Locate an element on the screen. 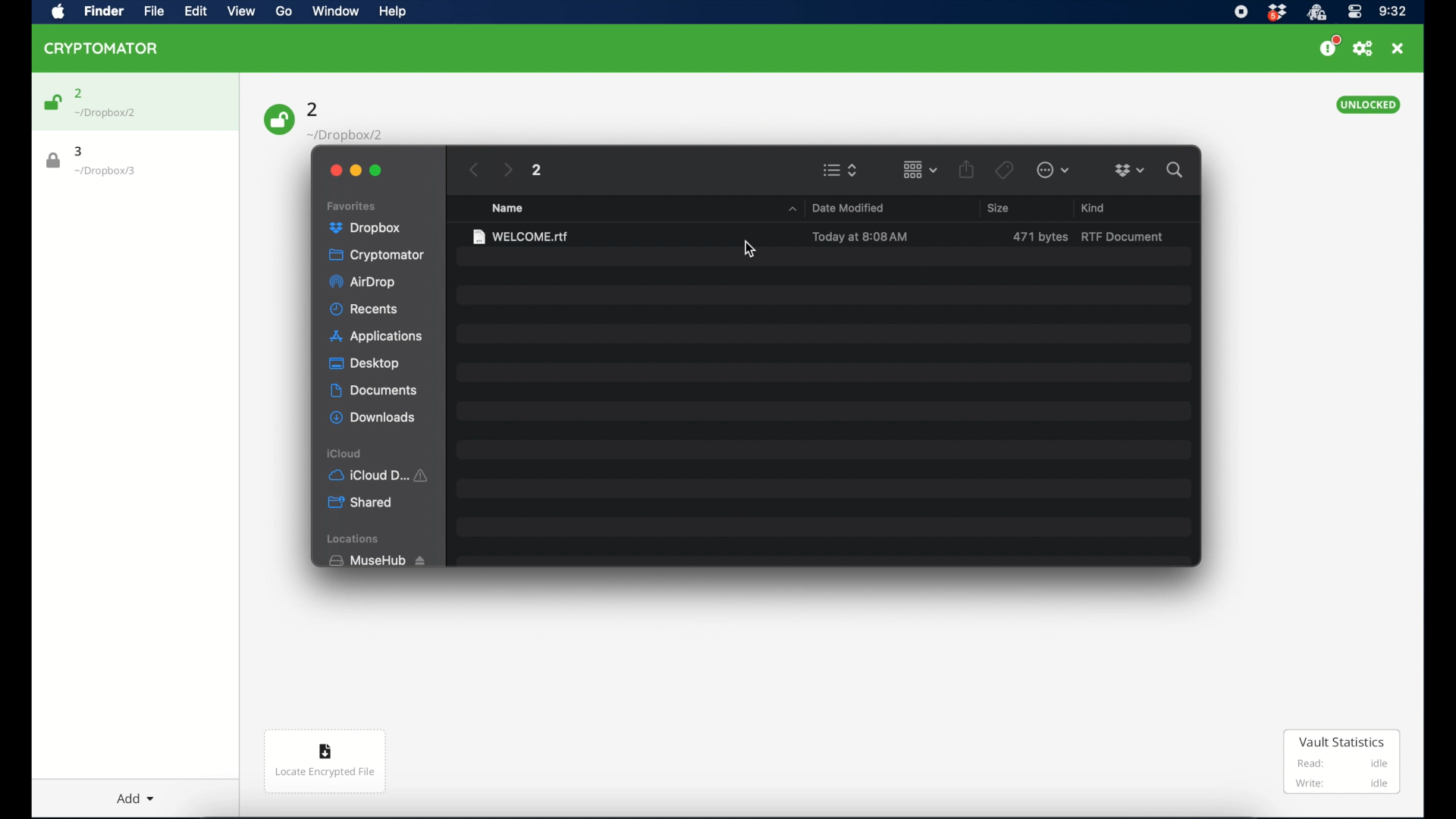 The height and width of the screenshot is (819, 1456). Window is located at coordinates (341, 11).